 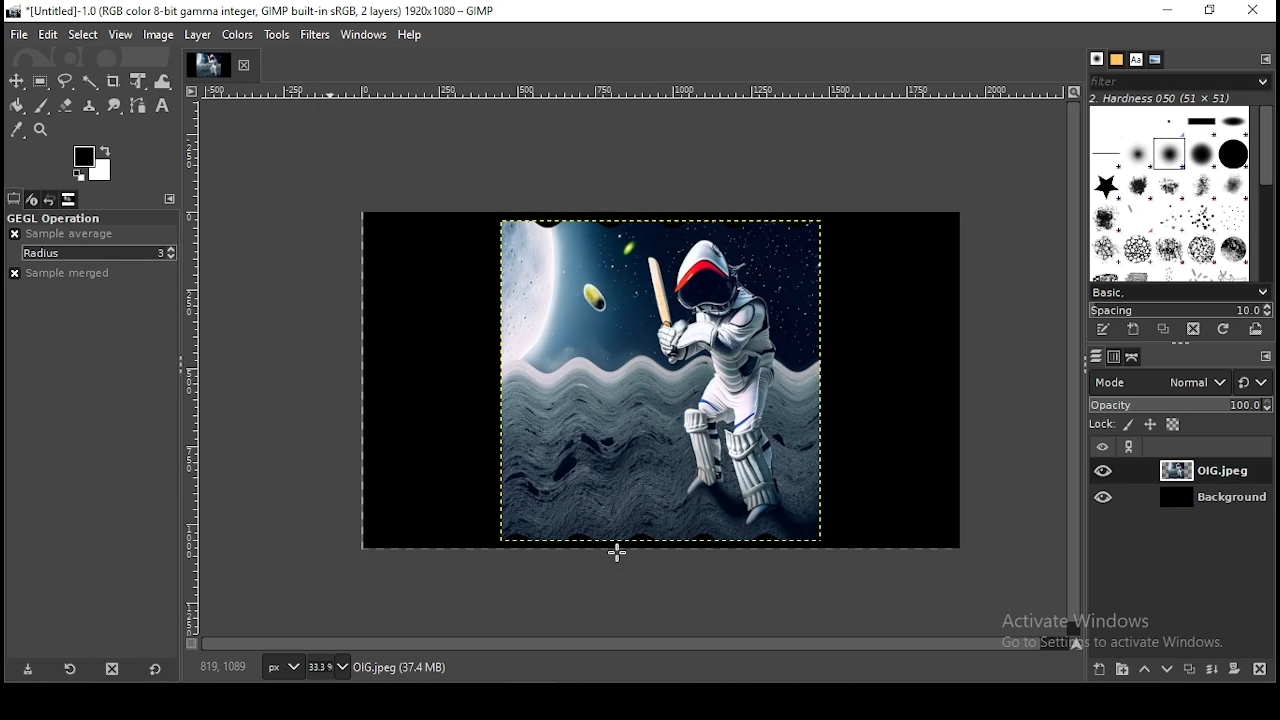 What do you see at coordinates (1117, 60) in the screenshot?
I see `patters` at bounding box center [1117, 60].